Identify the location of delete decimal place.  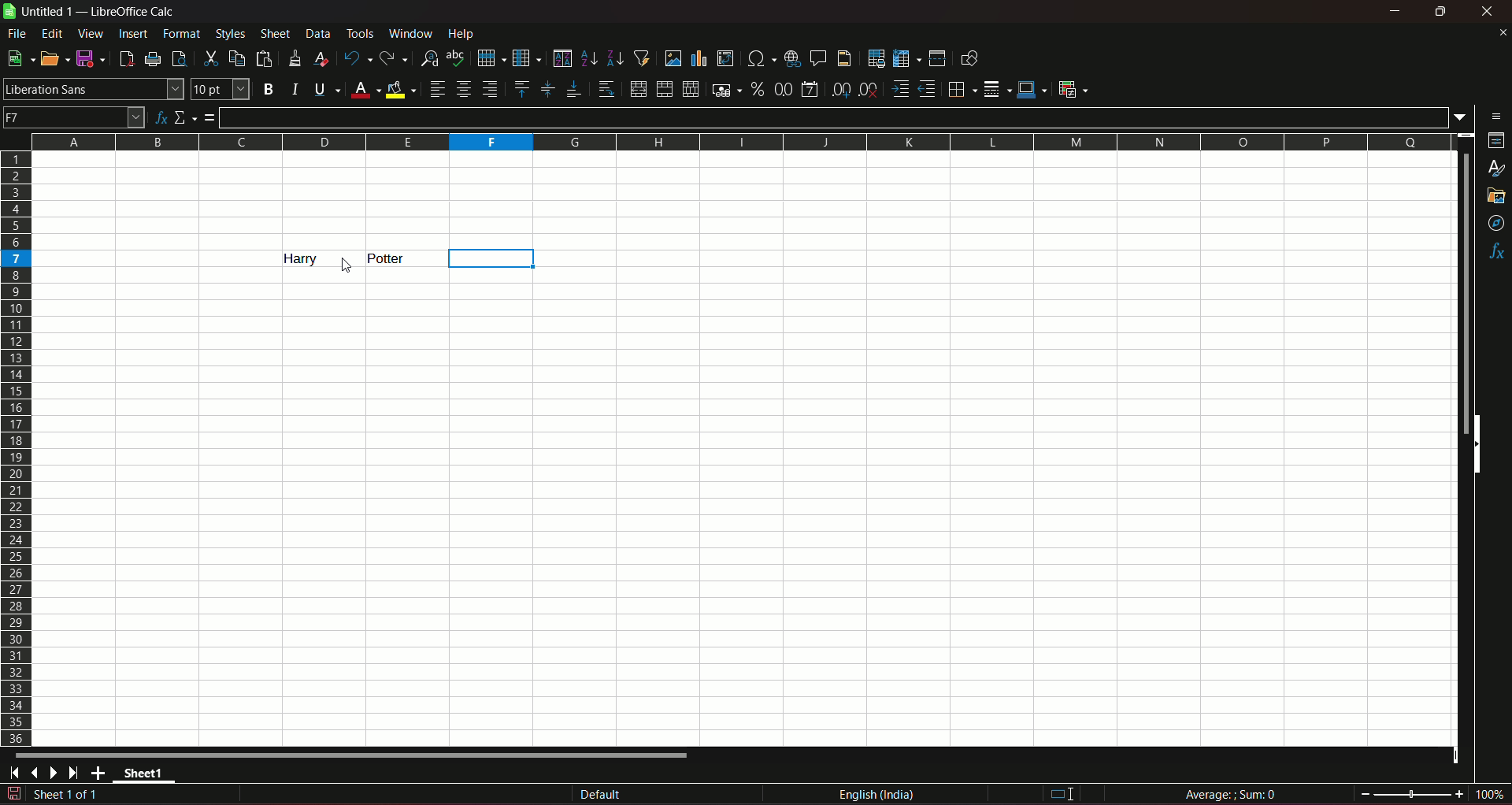
(868, 91).